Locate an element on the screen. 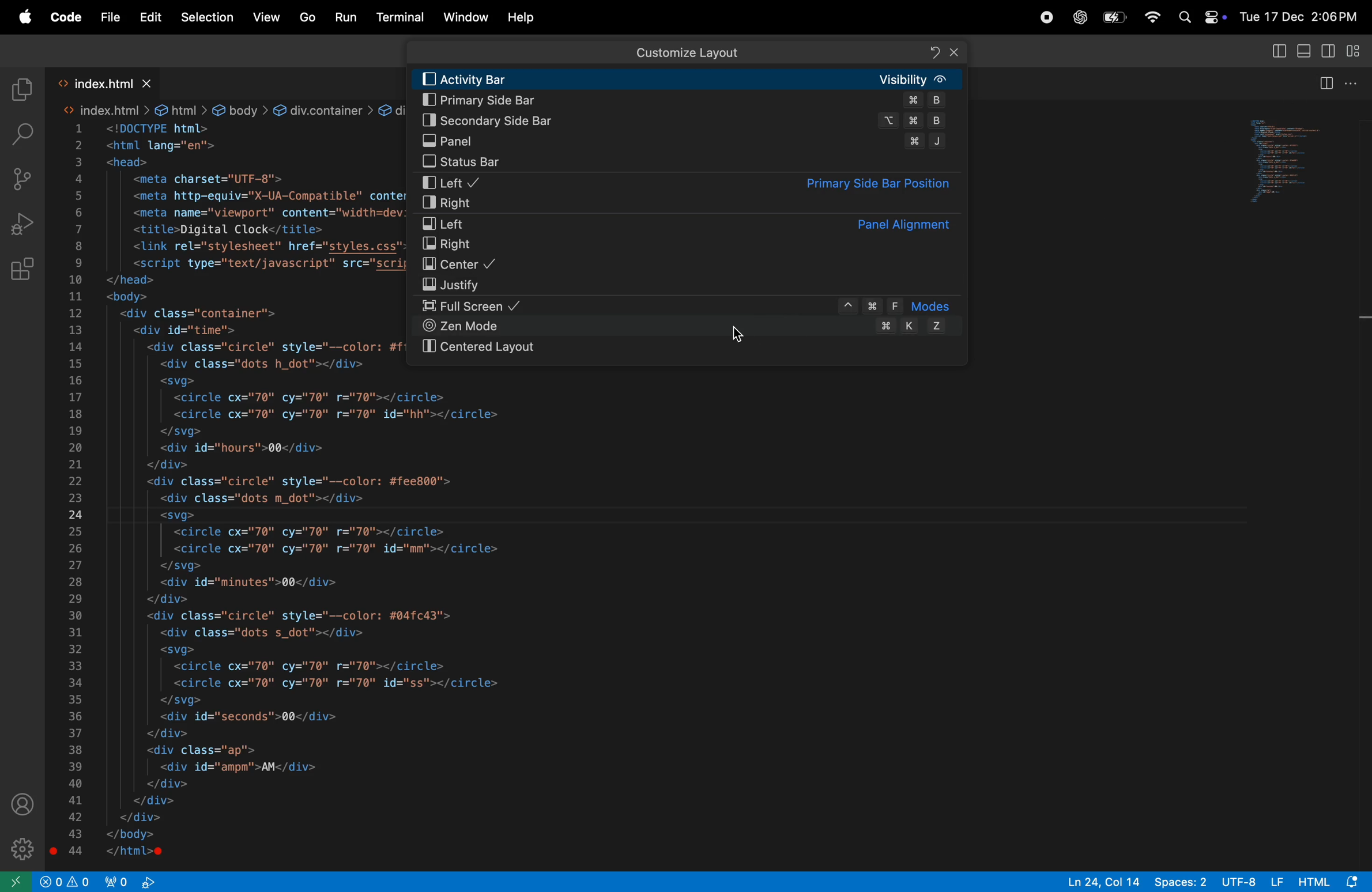 The height and width of the screenshot is (892, 1372). center is located at coordinates (691, 266).